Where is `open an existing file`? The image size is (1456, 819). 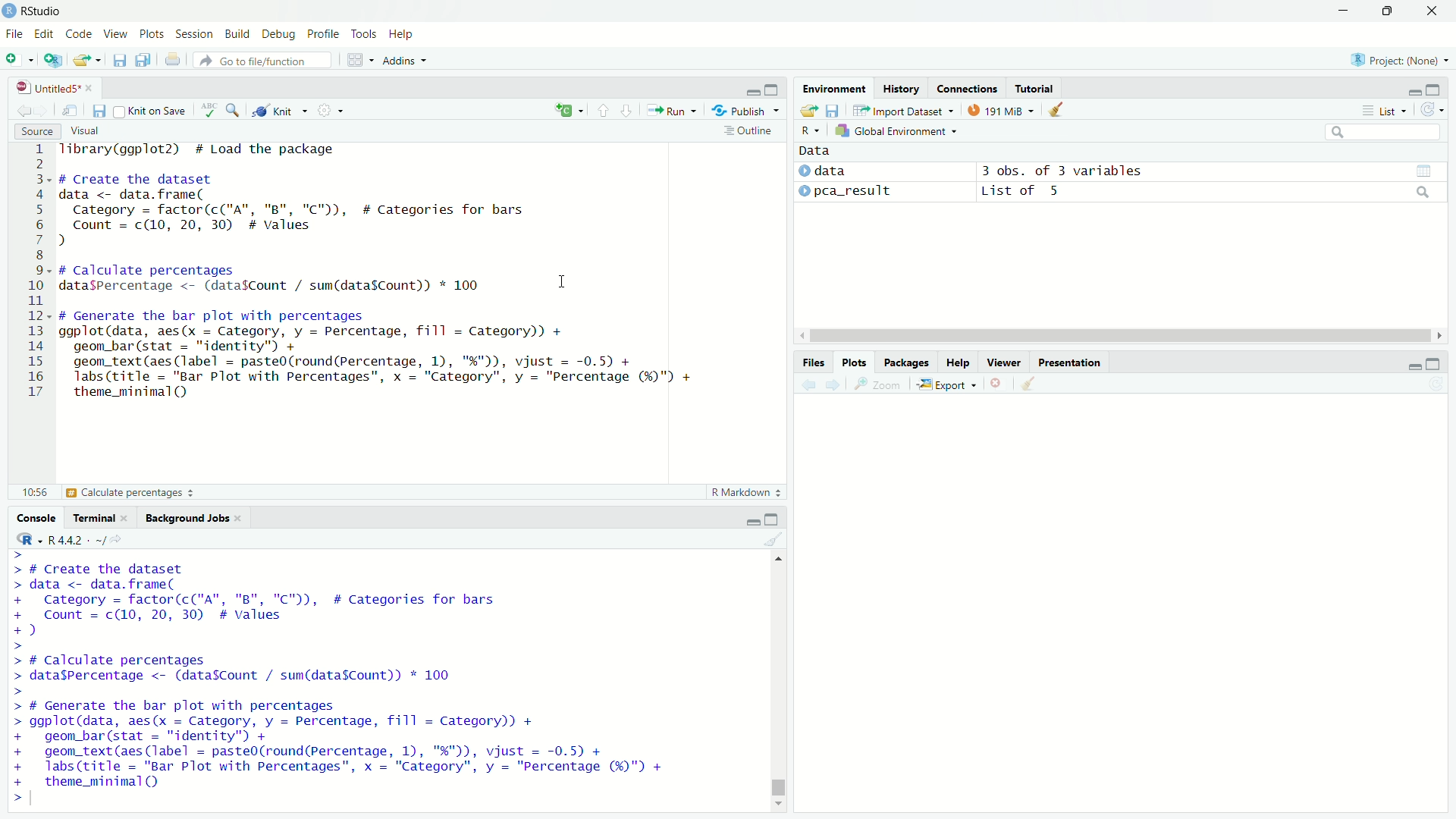
open an existing file is located at coordinates (86, 60).